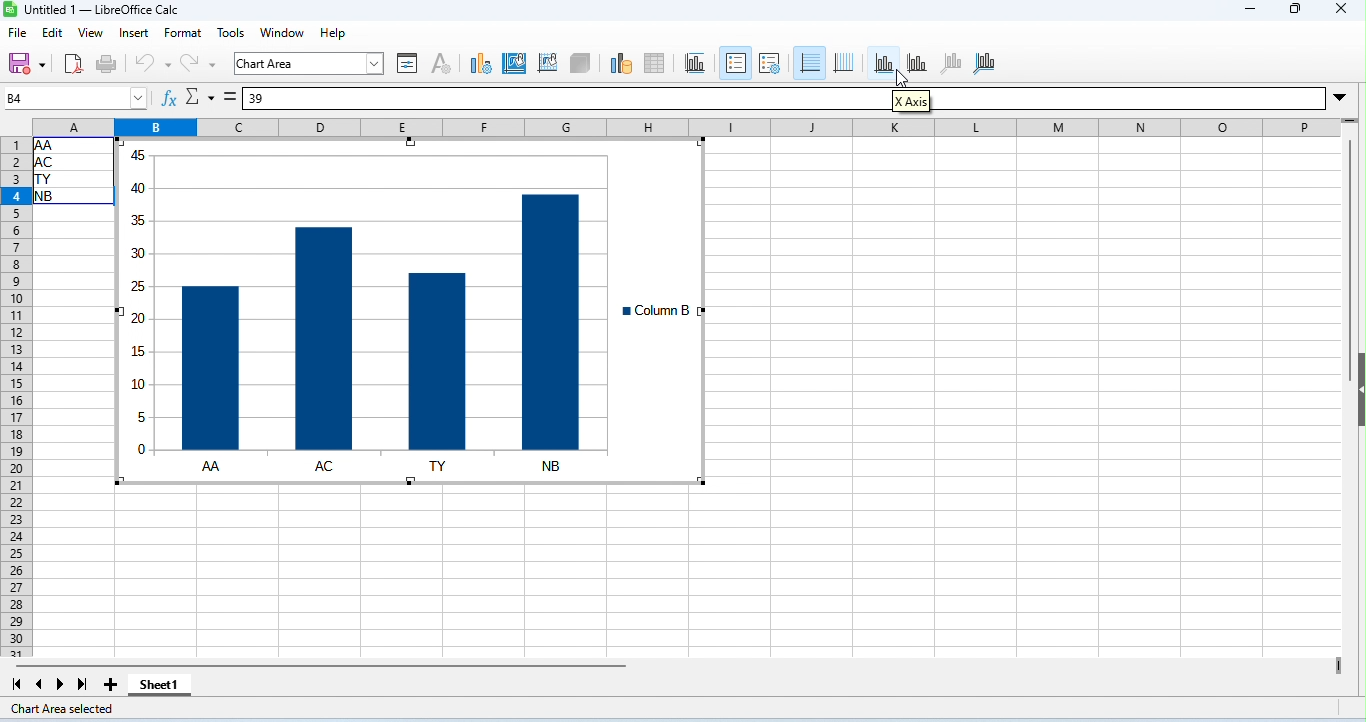 This screenshot has width=1366, height=722. Describe the element at coordinates (92, 11) in the screenshot. I see `untitled 1- libreoffice calc` at that location.